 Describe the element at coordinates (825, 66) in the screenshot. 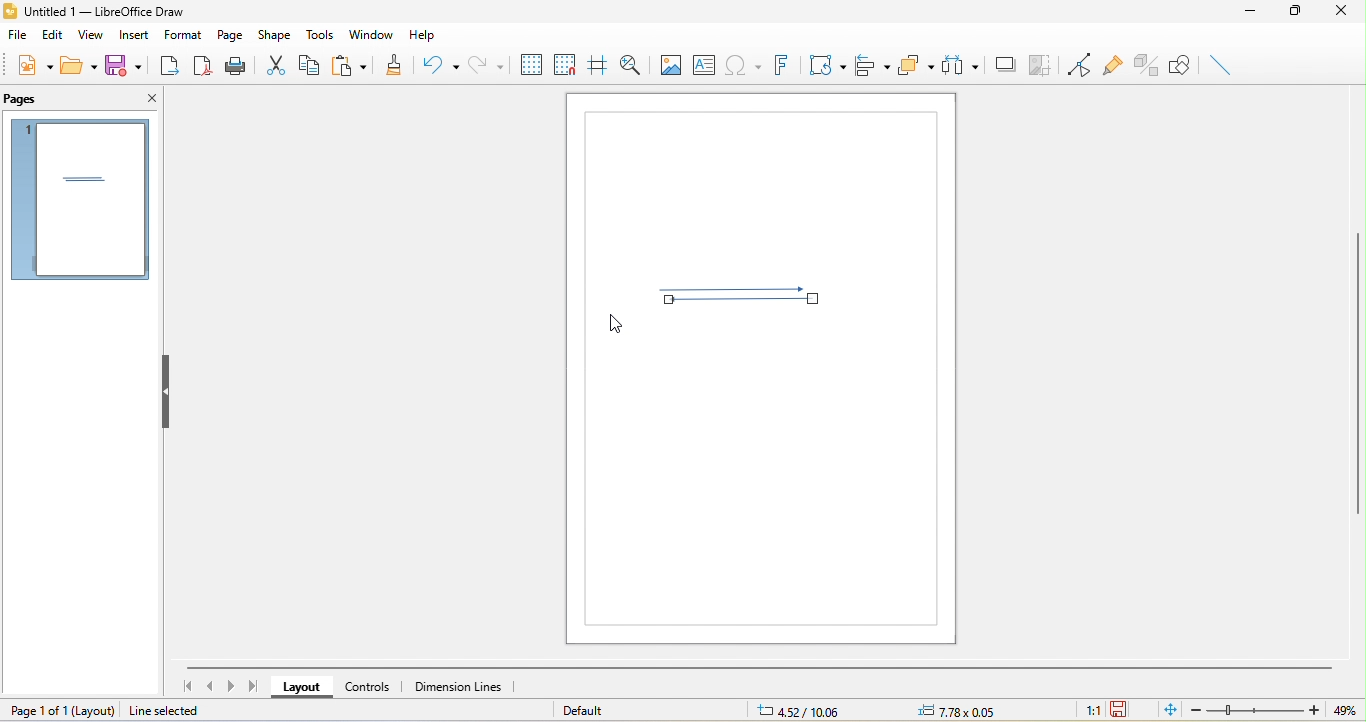

I see `transformation` at that location.